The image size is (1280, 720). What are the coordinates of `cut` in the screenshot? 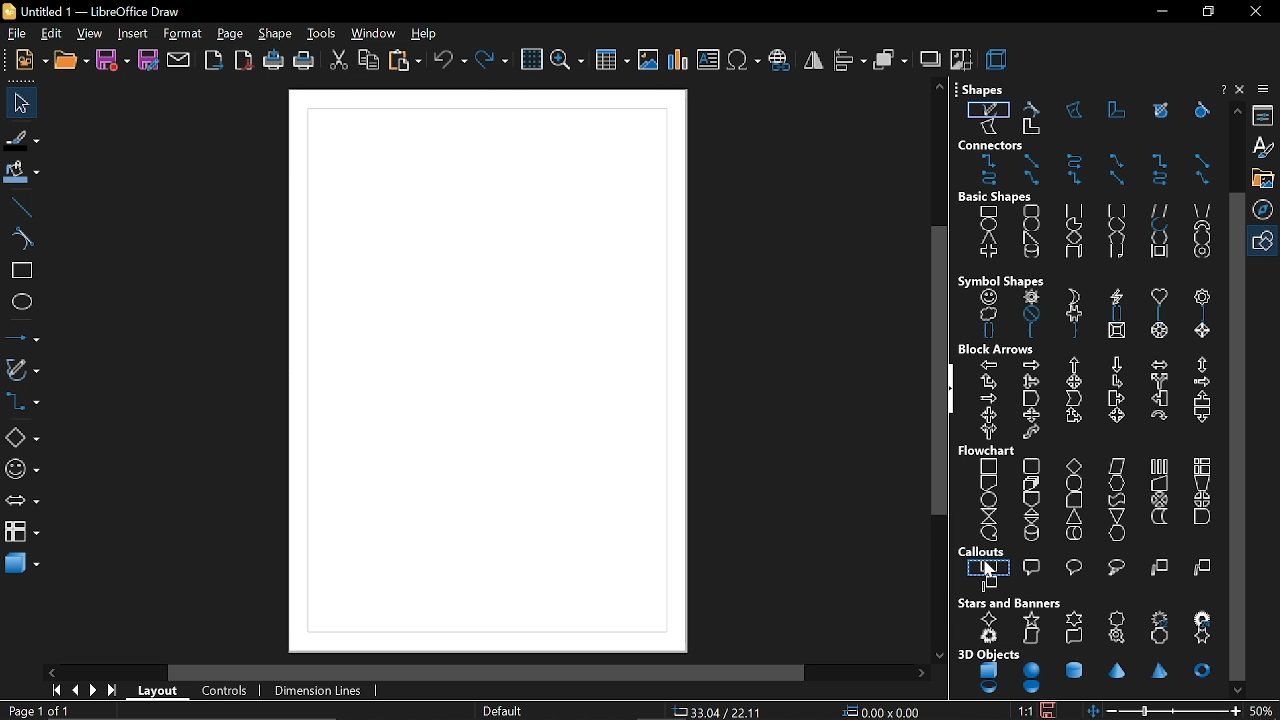 It's located at (338, 61).